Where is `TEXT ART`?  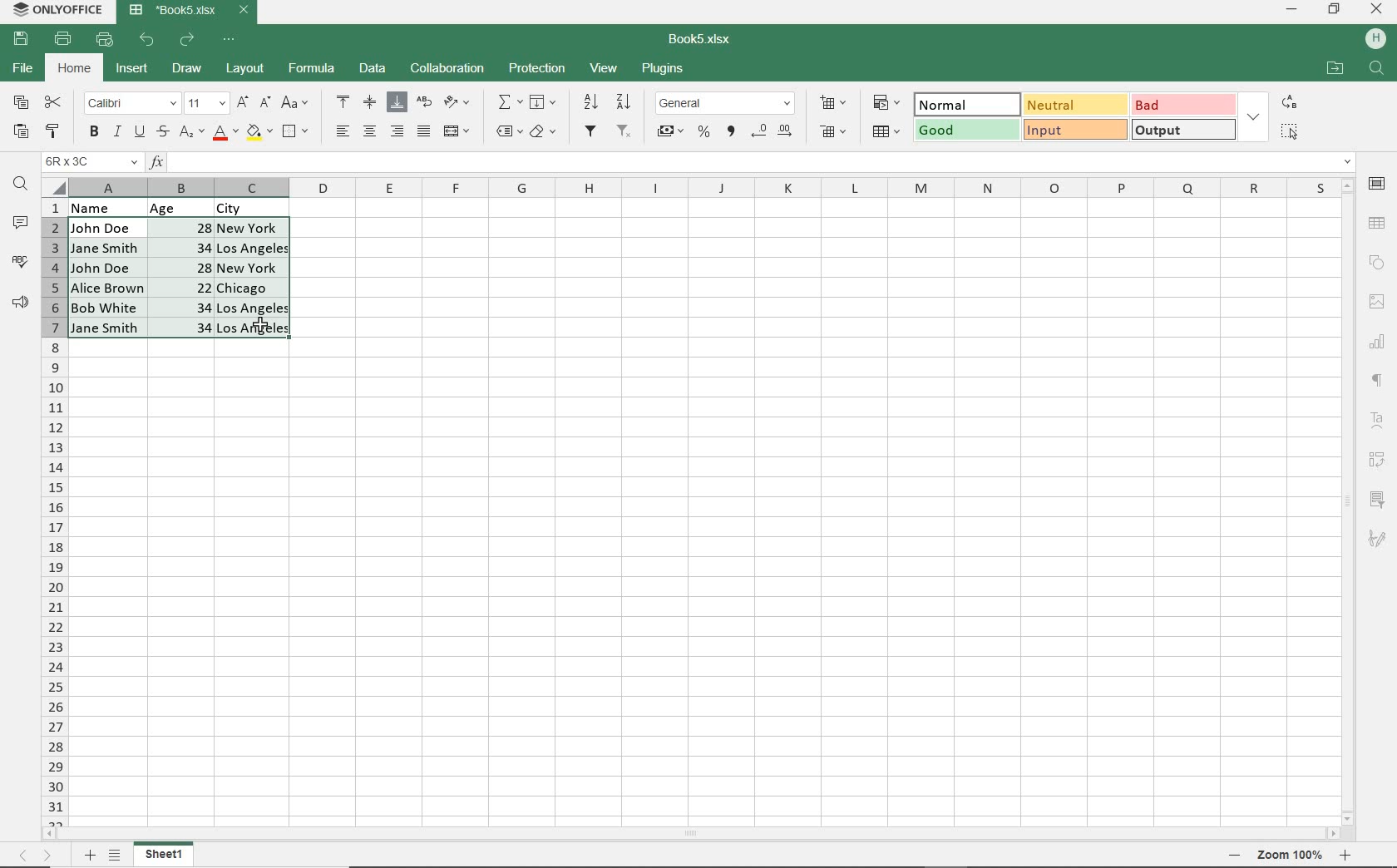
TEXT ART is located at coordinates (1379, 422).